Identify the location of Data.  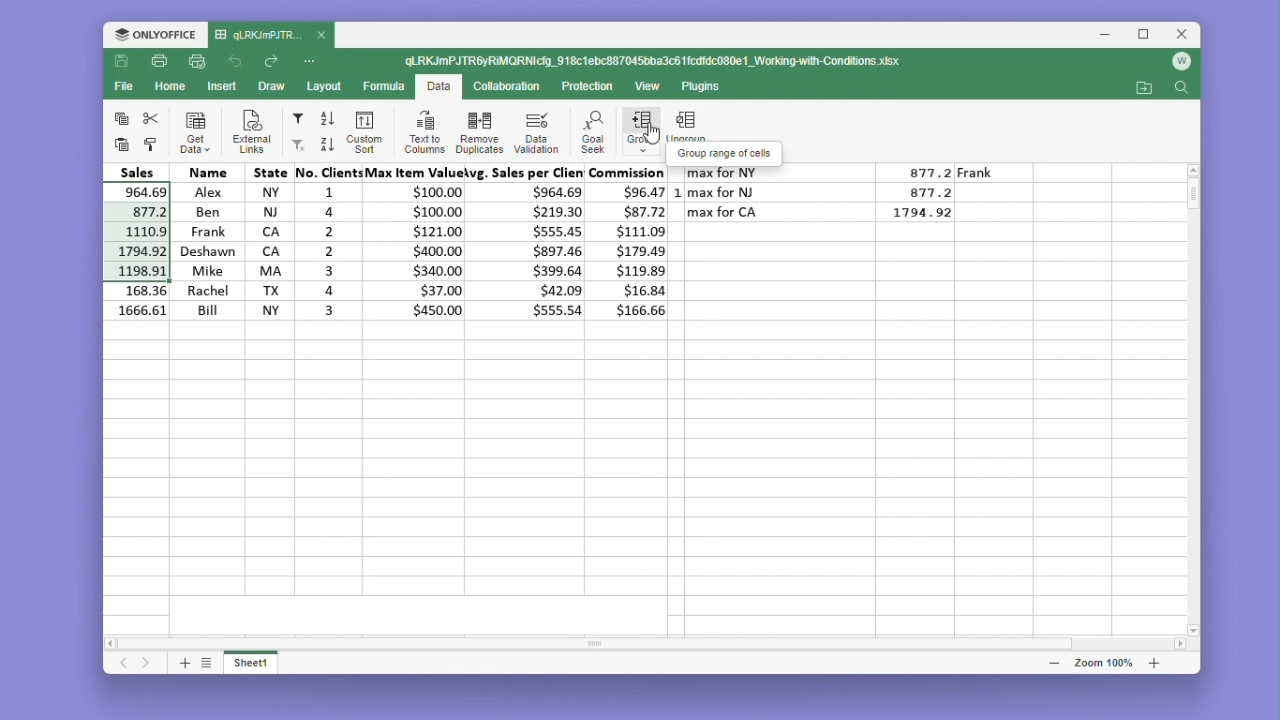
(438, 88).